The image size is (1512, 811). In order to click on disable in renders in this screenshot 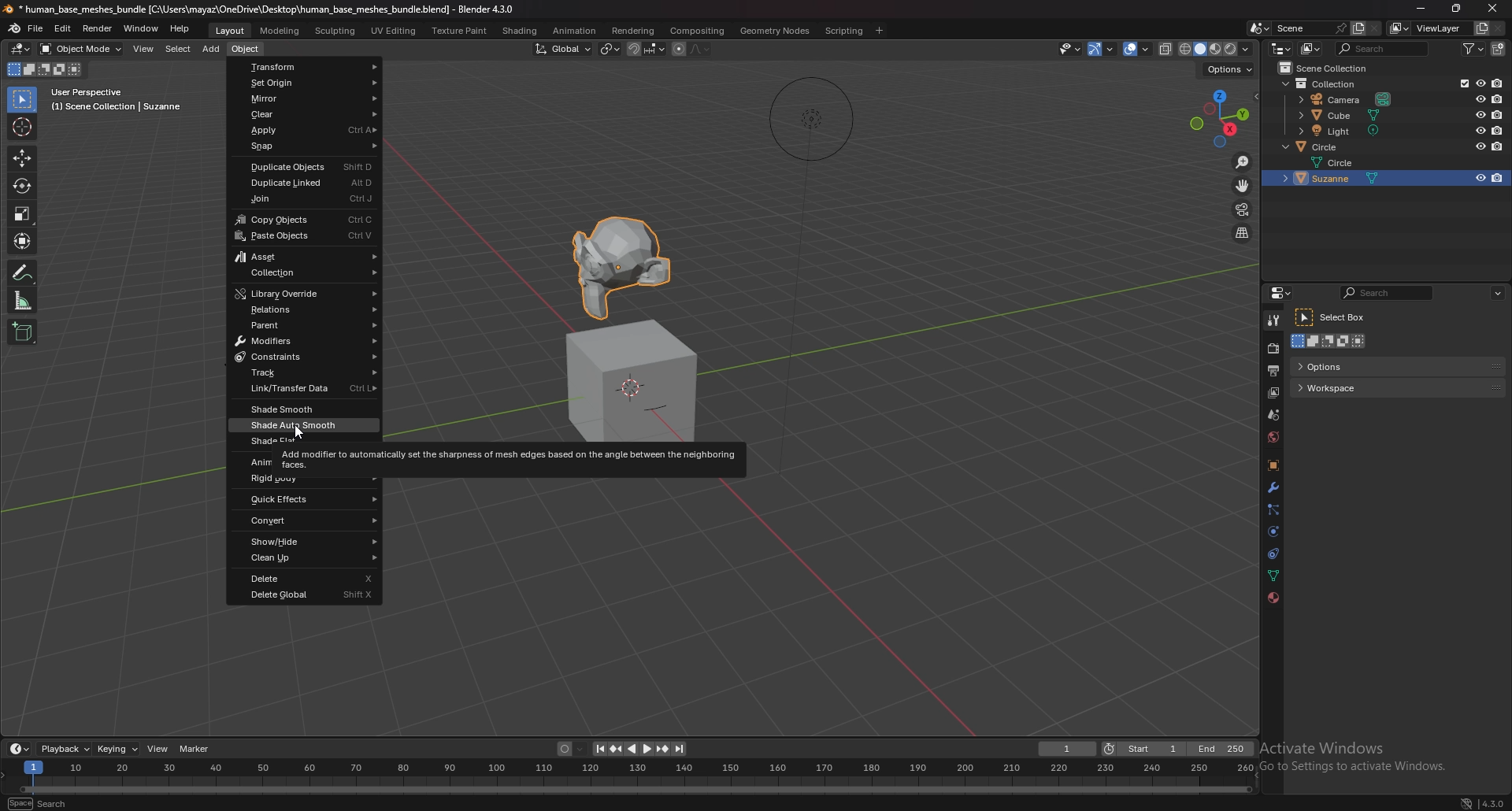, I will do `click(1497, 179)`.